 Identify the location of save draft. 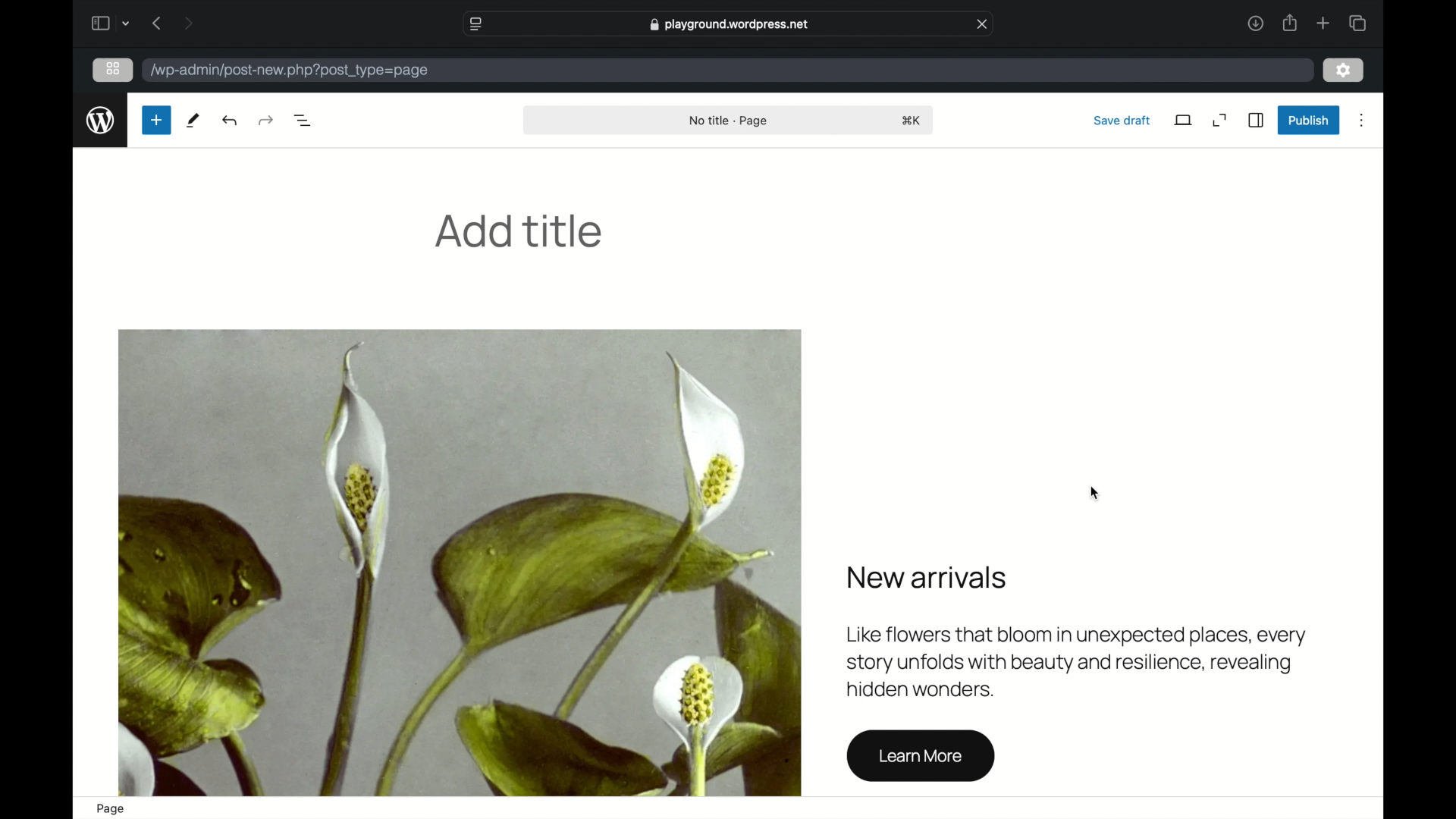
(1122, 120).